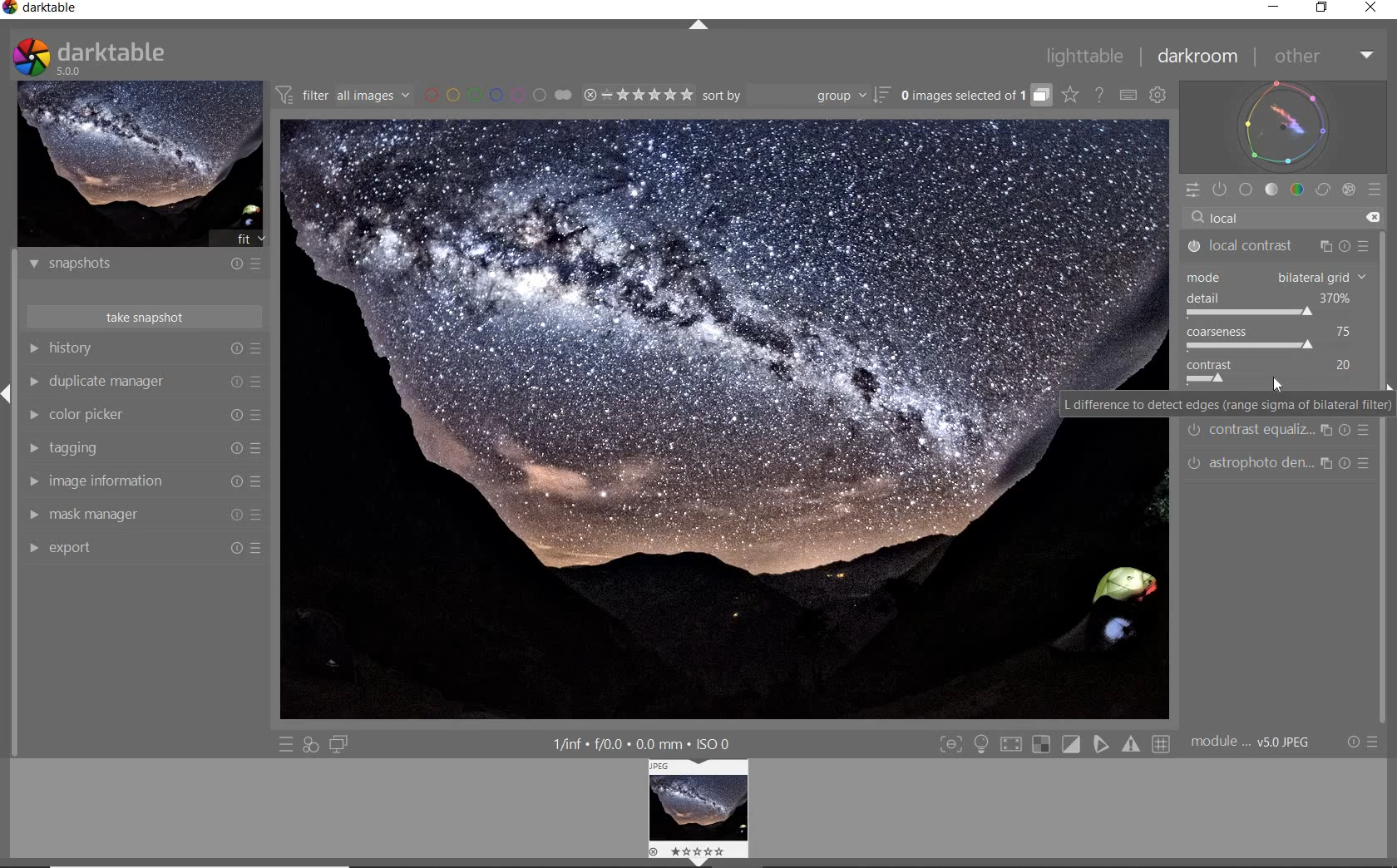  What do you see at coordinates (1378, 741) in the screenshot?
I see `Options` at bounding box center [1378, 741].